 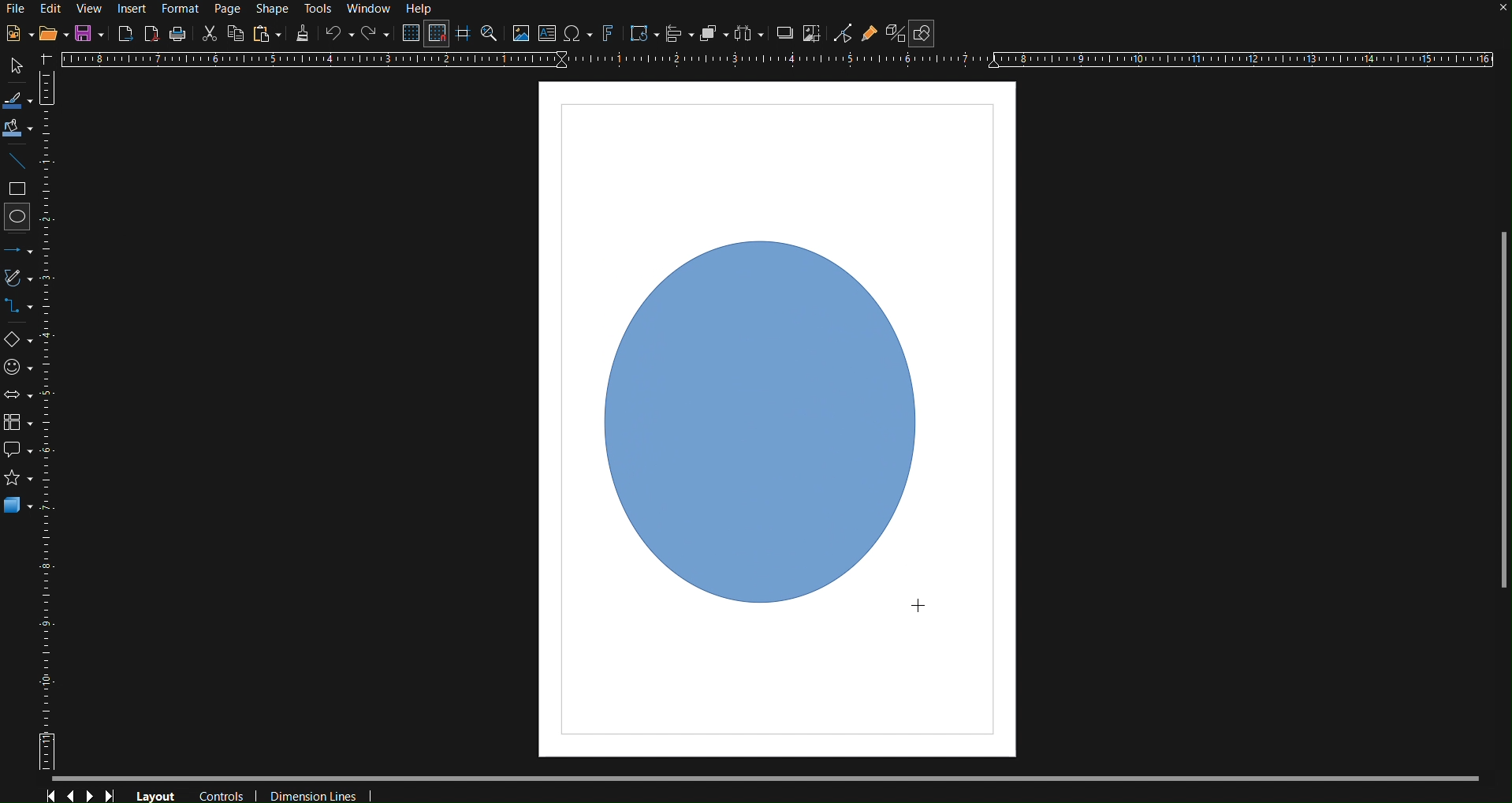 I want to click on Block Arrows, so click(x=20, y=394).